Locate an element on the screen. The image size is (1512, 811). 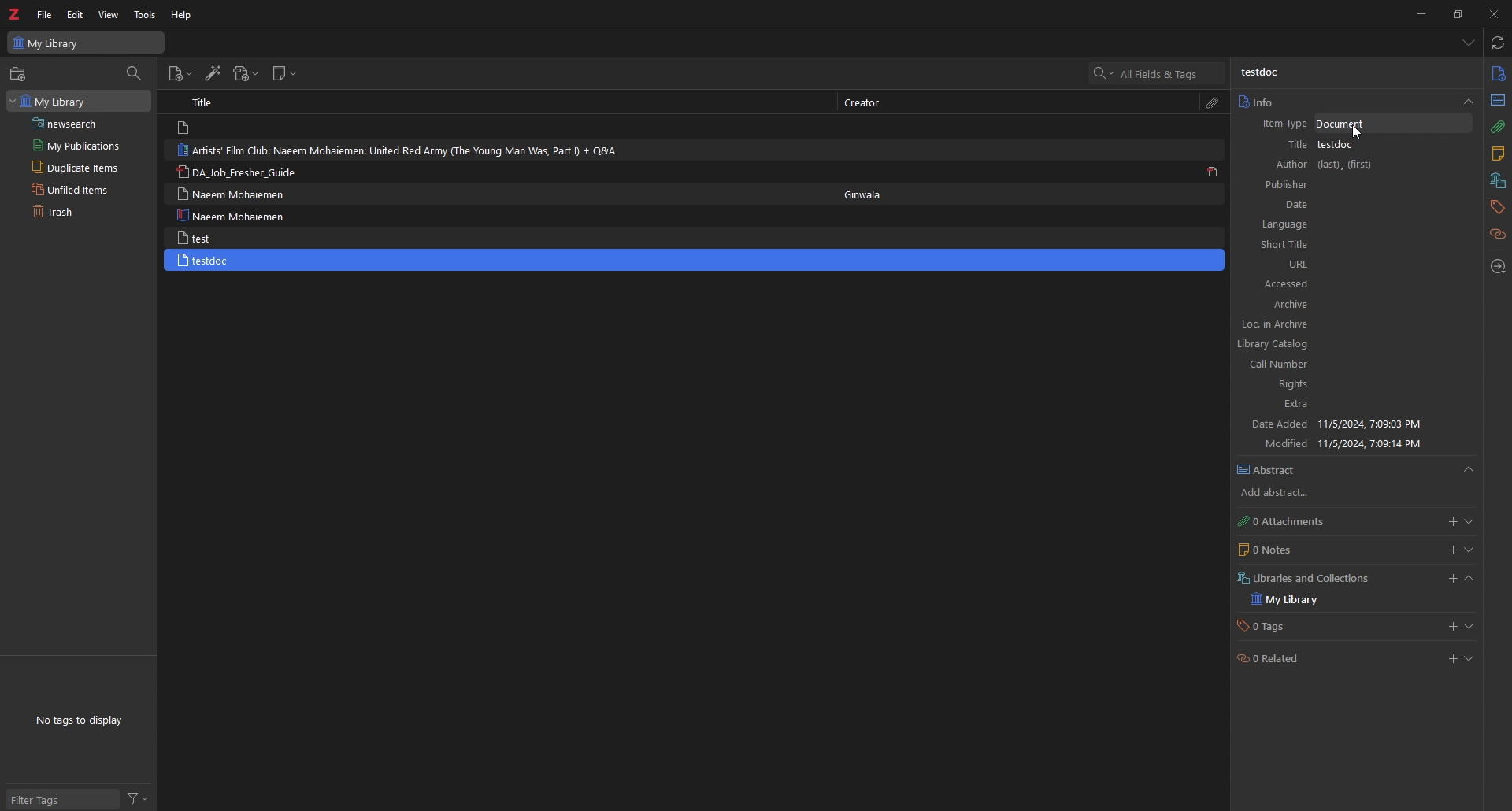
view is located at coordinates (108, 15).